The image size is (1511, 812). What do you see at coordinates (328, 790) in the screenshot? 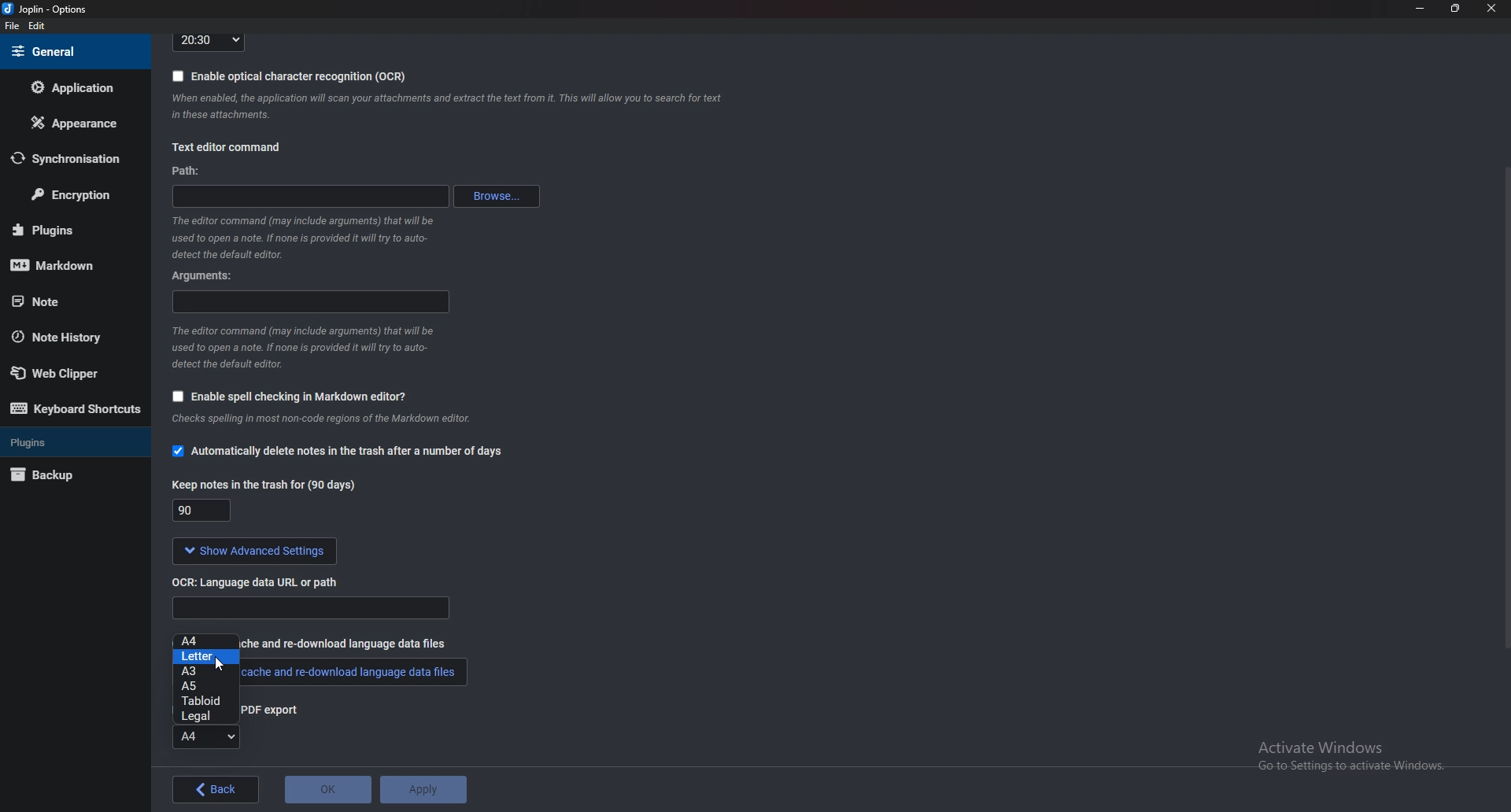
I see `ok` at bounding box center [328, 790].